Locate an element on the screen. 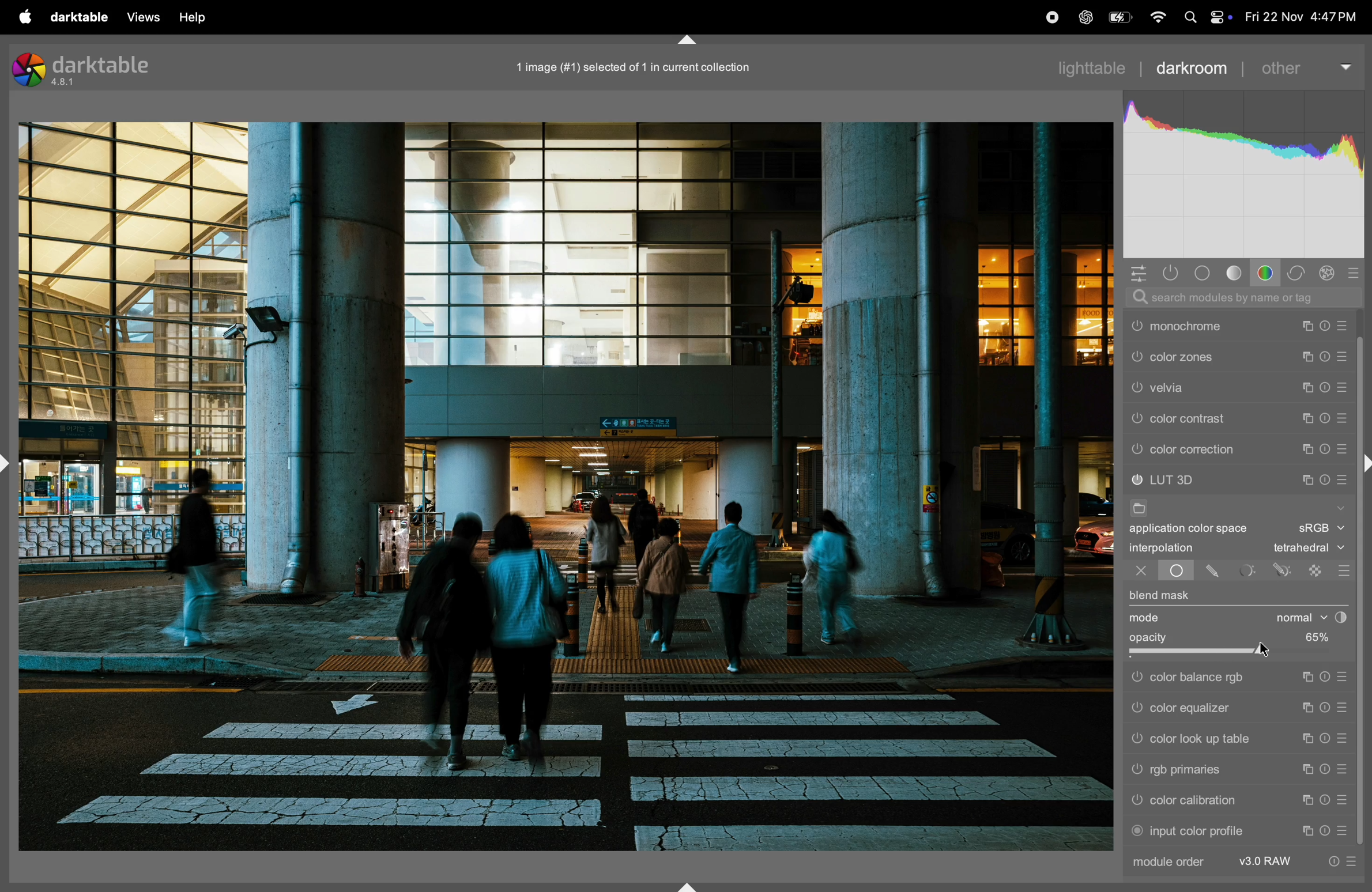 This screenshot has width=1372, height=892. color is located at coordinates (1267, 273).